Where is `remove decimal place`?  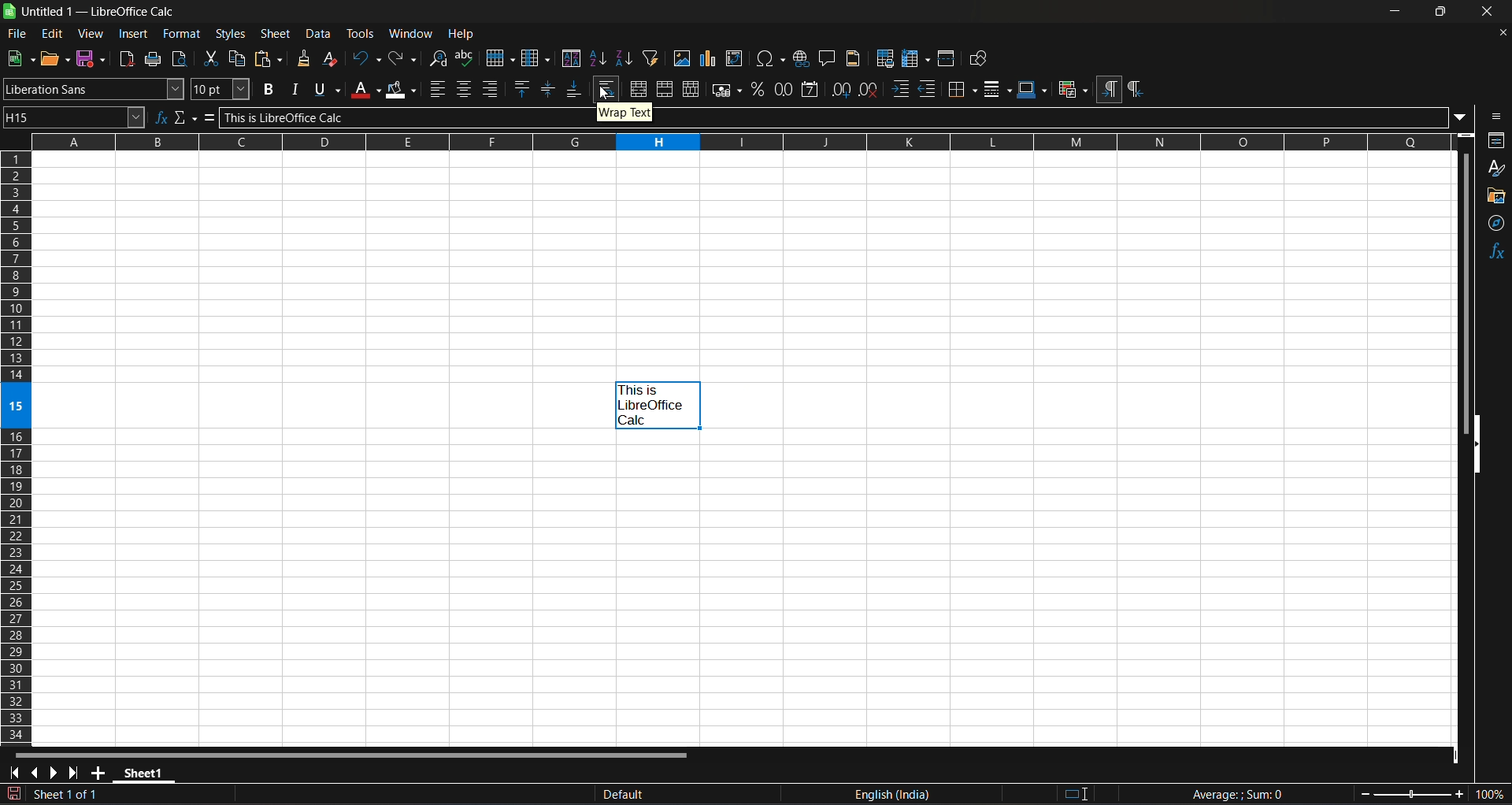 remove decimal place is located at coordinates (870, 90).